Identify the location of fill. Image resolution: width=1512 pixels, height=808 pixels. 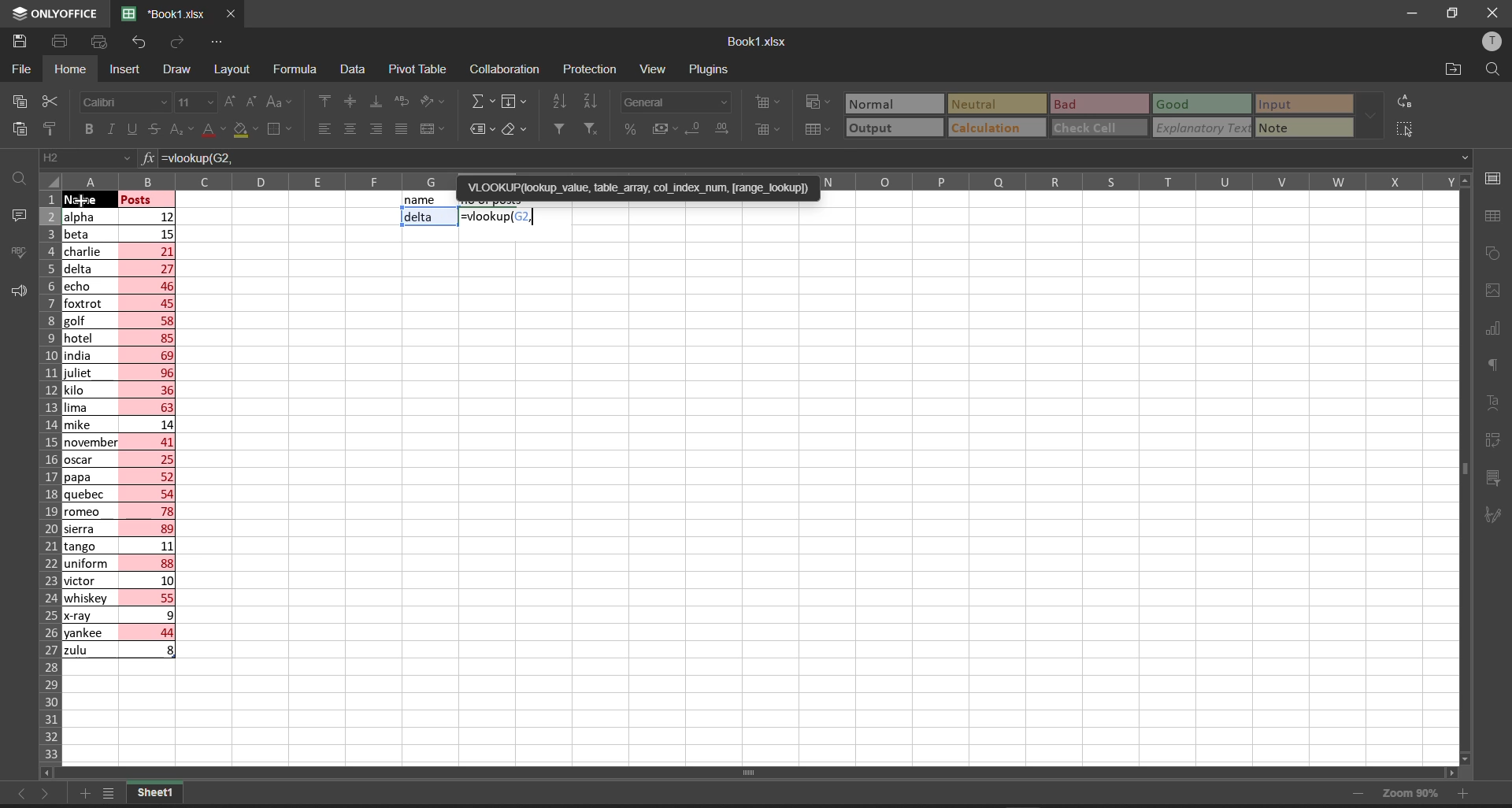
(517, 102).